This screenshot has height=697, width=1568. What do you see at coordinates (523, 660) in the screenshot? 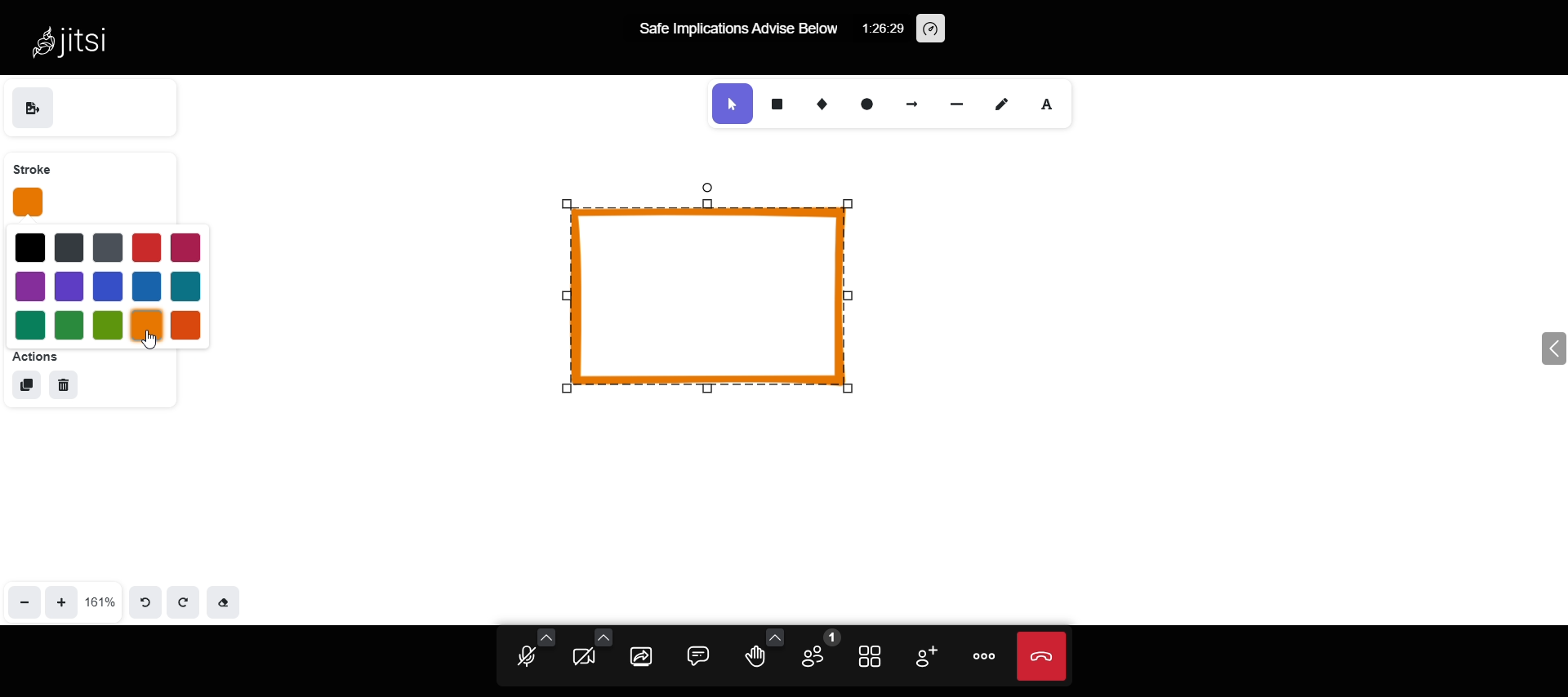
I see `unmute mic` at bounding box center [523, 660].